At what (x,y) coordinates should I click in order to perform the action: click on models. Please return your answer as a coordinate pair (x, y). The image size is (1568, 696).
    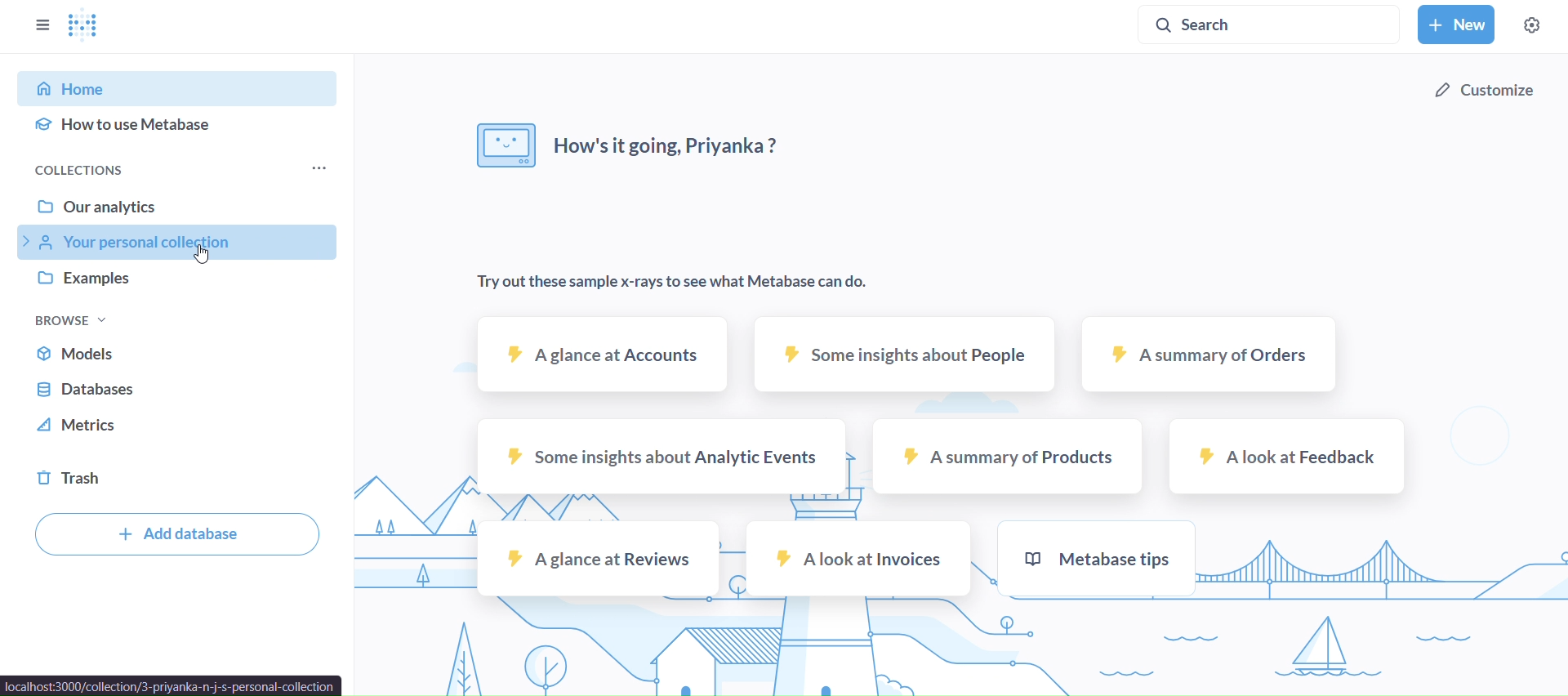
    Looking at the image, I should click on (179, 352).